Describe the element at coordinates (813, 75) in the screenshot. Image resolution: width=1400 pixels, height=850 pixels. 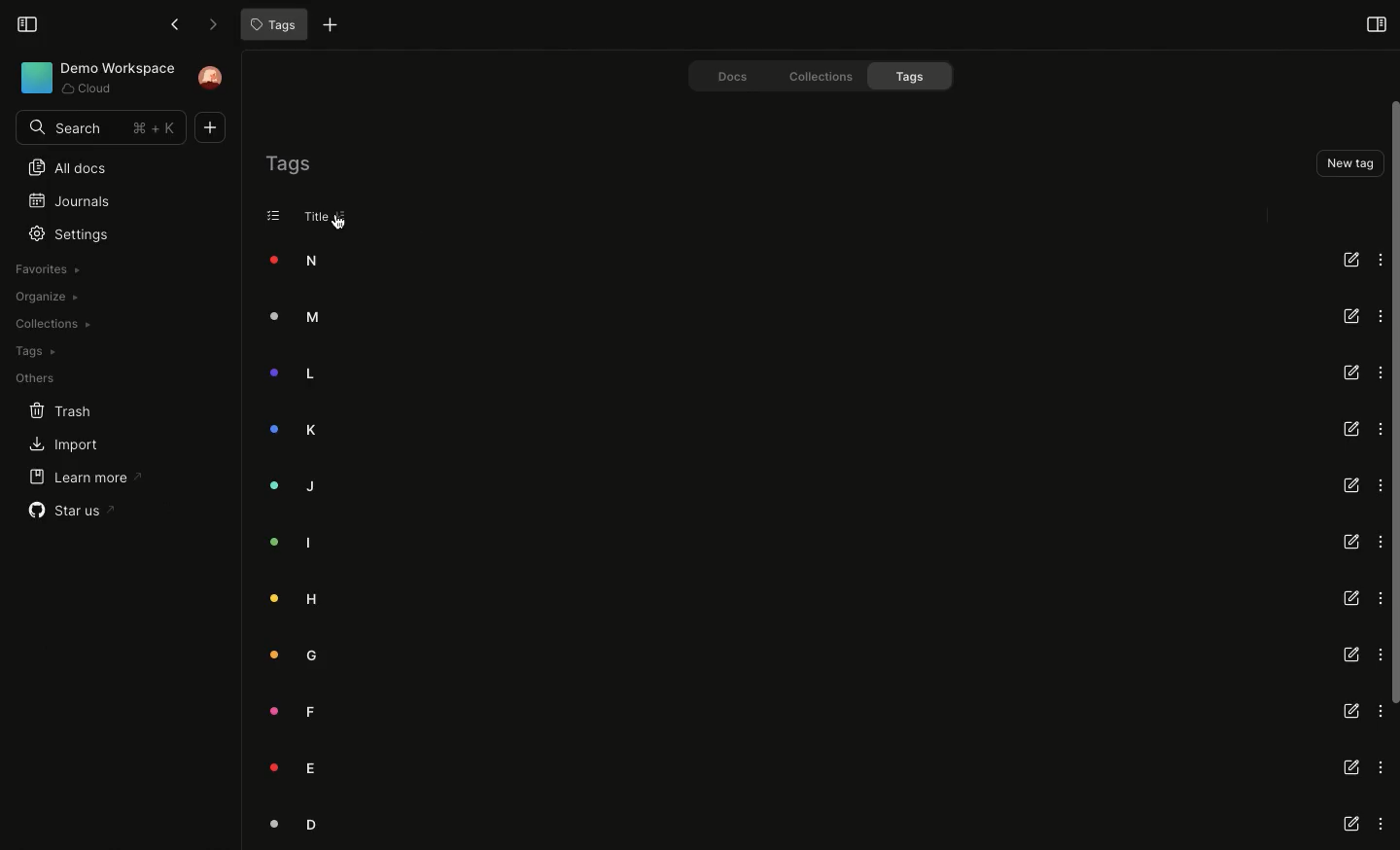
I see `Collections` at that location.